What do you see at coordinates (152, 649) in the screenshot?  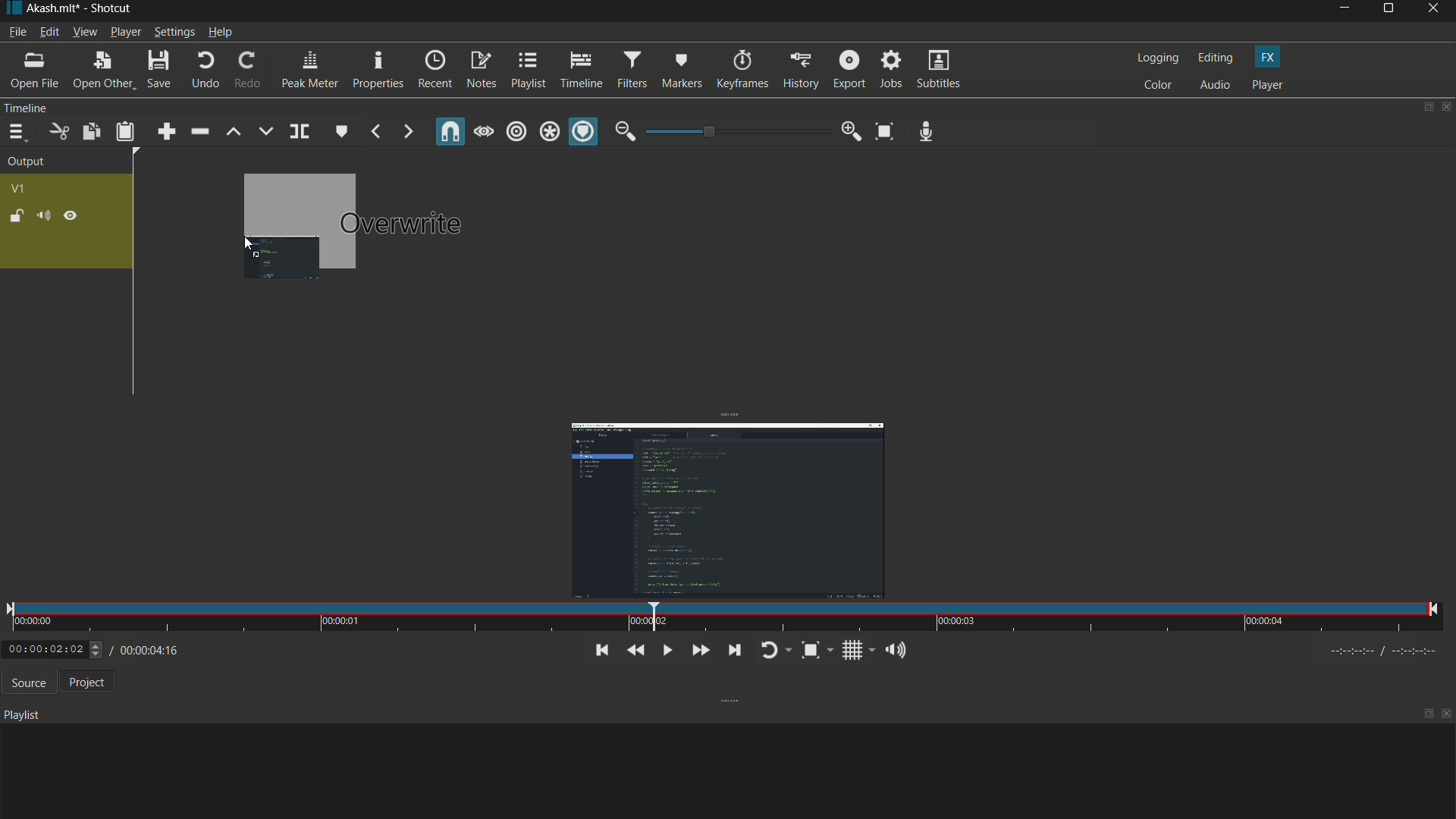 I see ` / 00:00:04:16` at bounding box center [152, 649].